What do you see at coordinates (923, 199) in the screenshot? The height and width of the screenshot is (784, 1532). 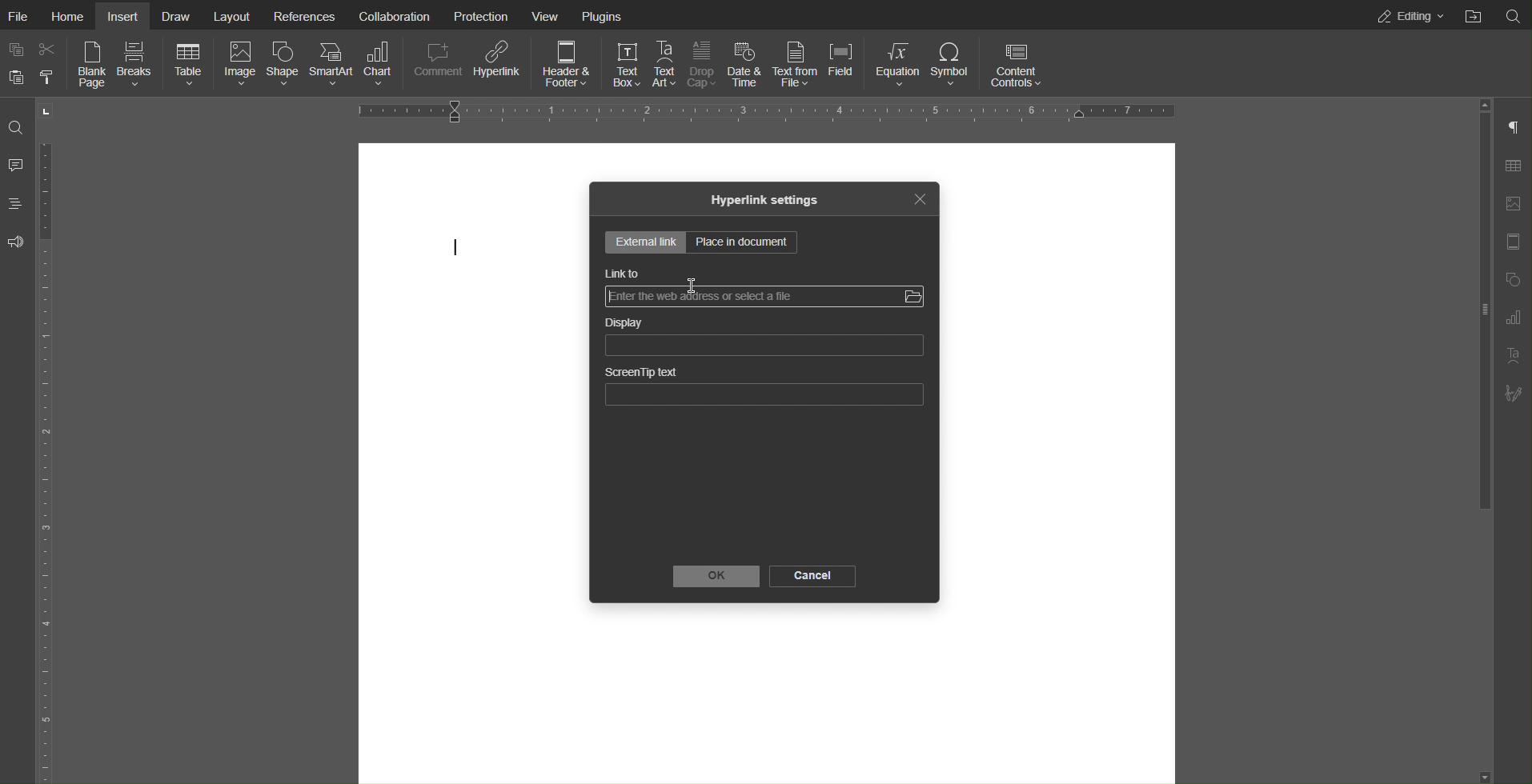 I see `Close` at bounding box center [923, 199].